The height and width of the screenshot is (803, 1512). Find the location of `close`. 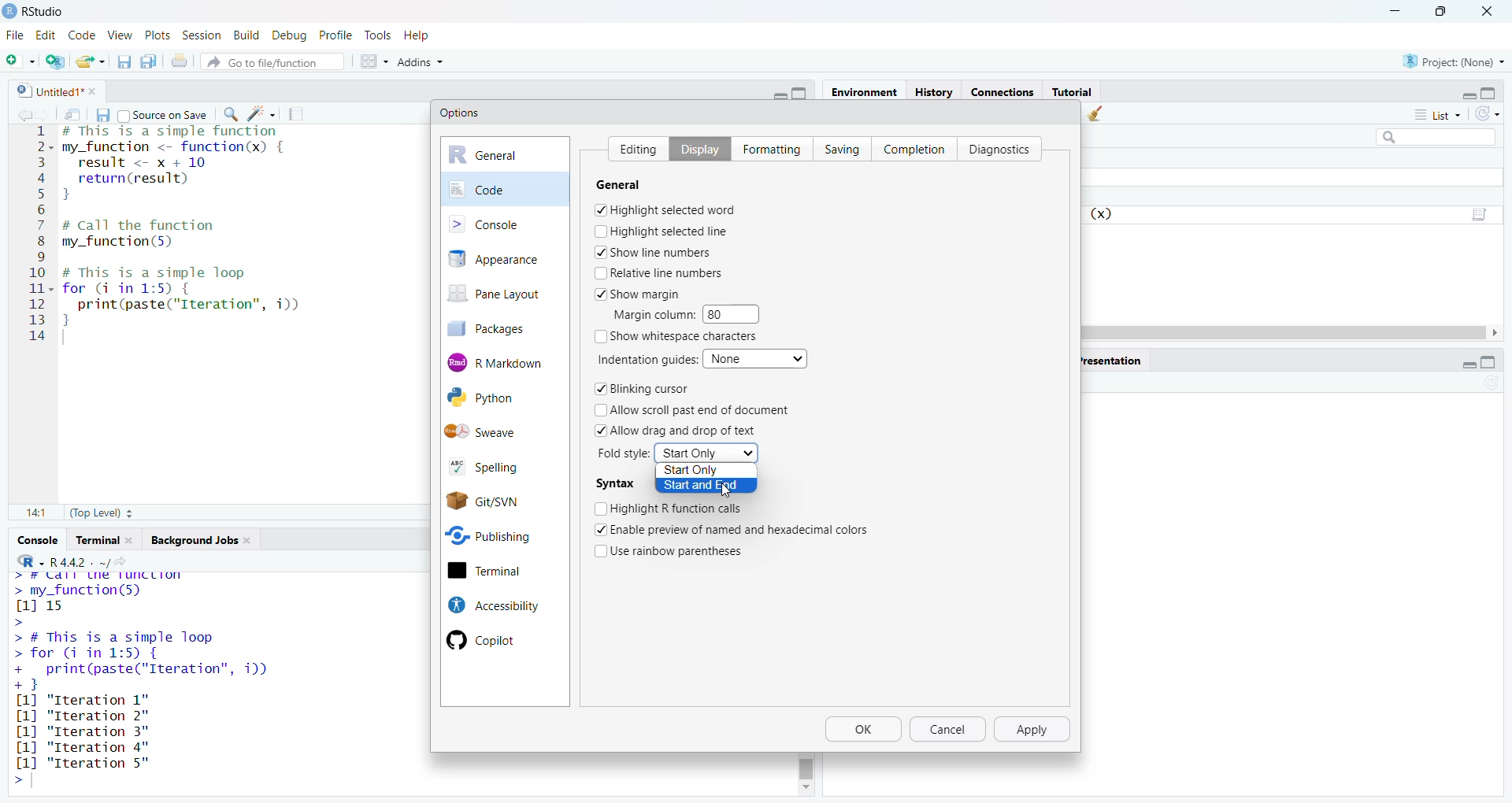

close is located at coordinates (253, 542).